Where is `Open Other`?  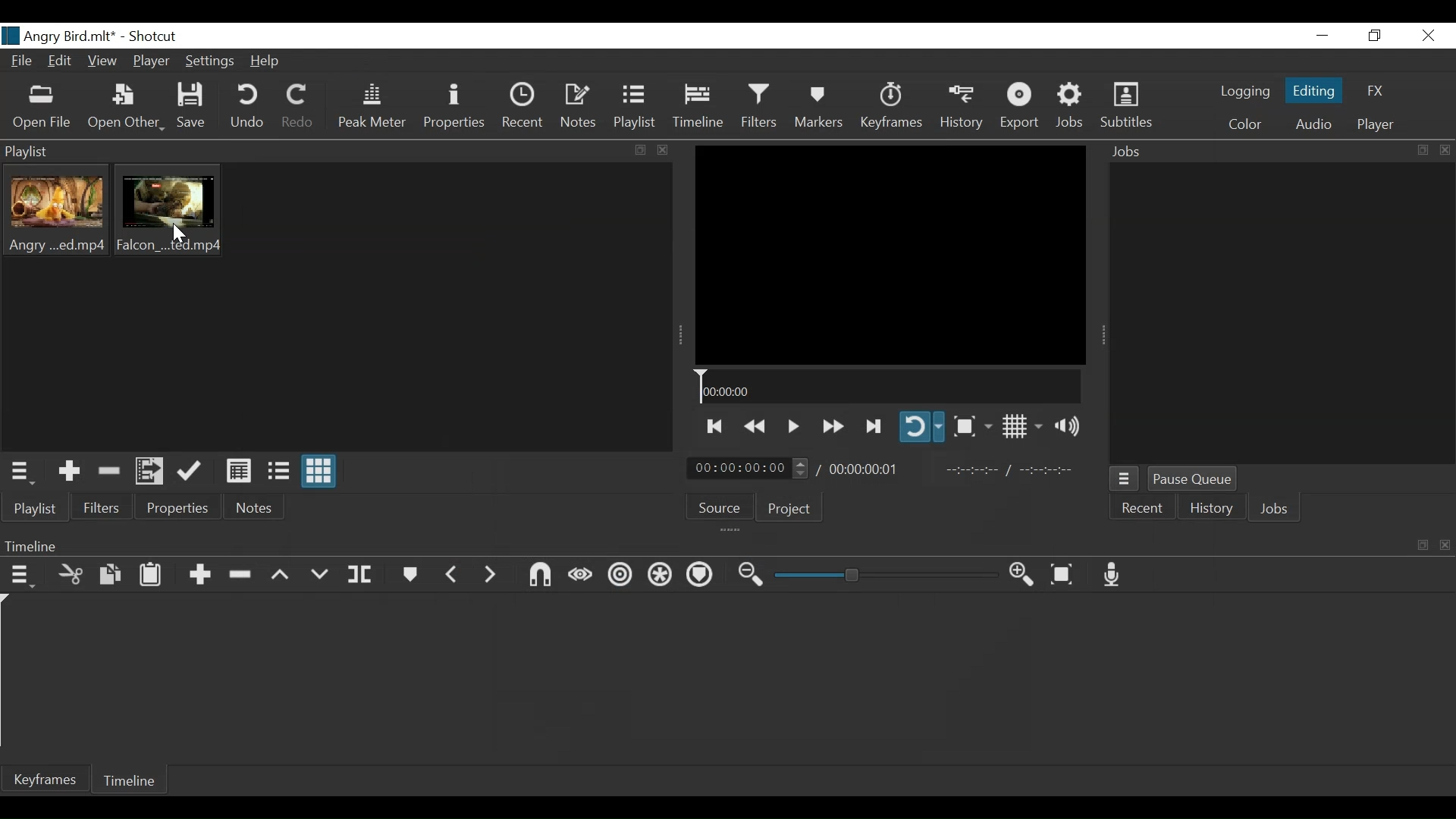 Open Other is located at coordinates (126, 107).